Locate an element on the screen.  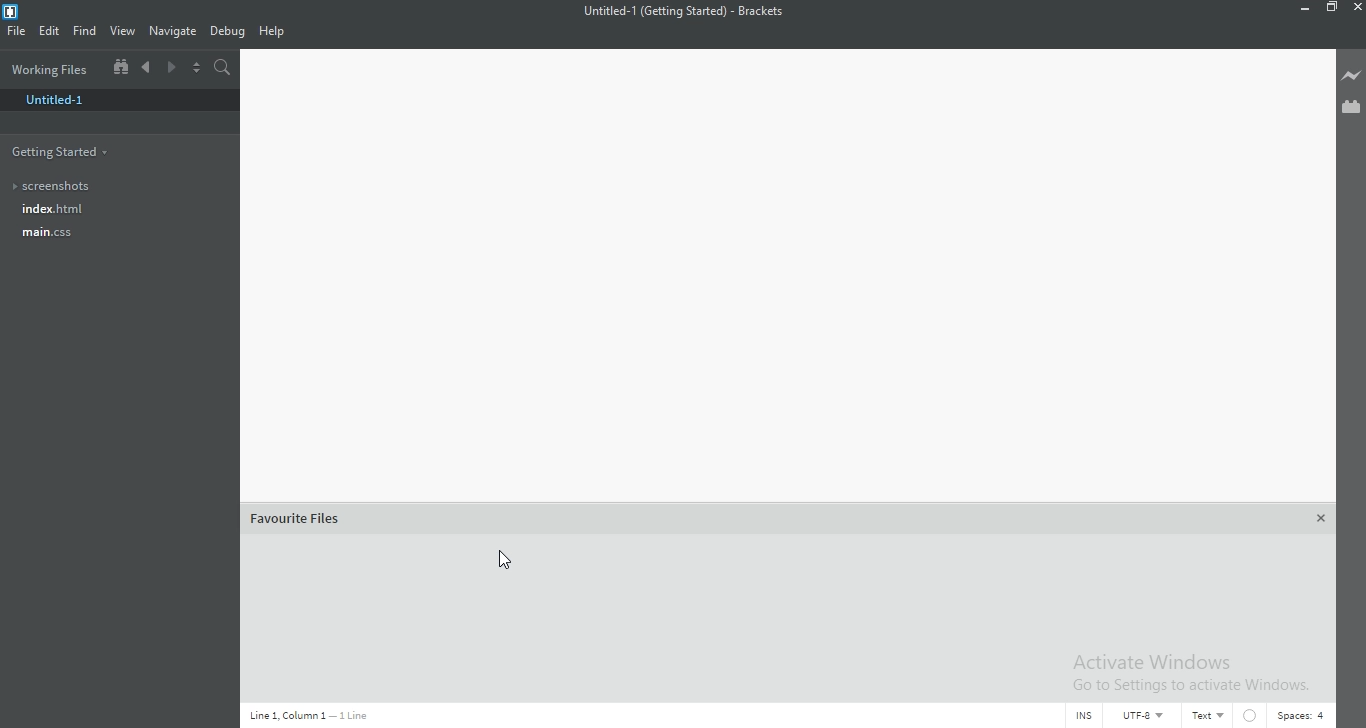
favorite files(1) is located at coordinates (307, 520).